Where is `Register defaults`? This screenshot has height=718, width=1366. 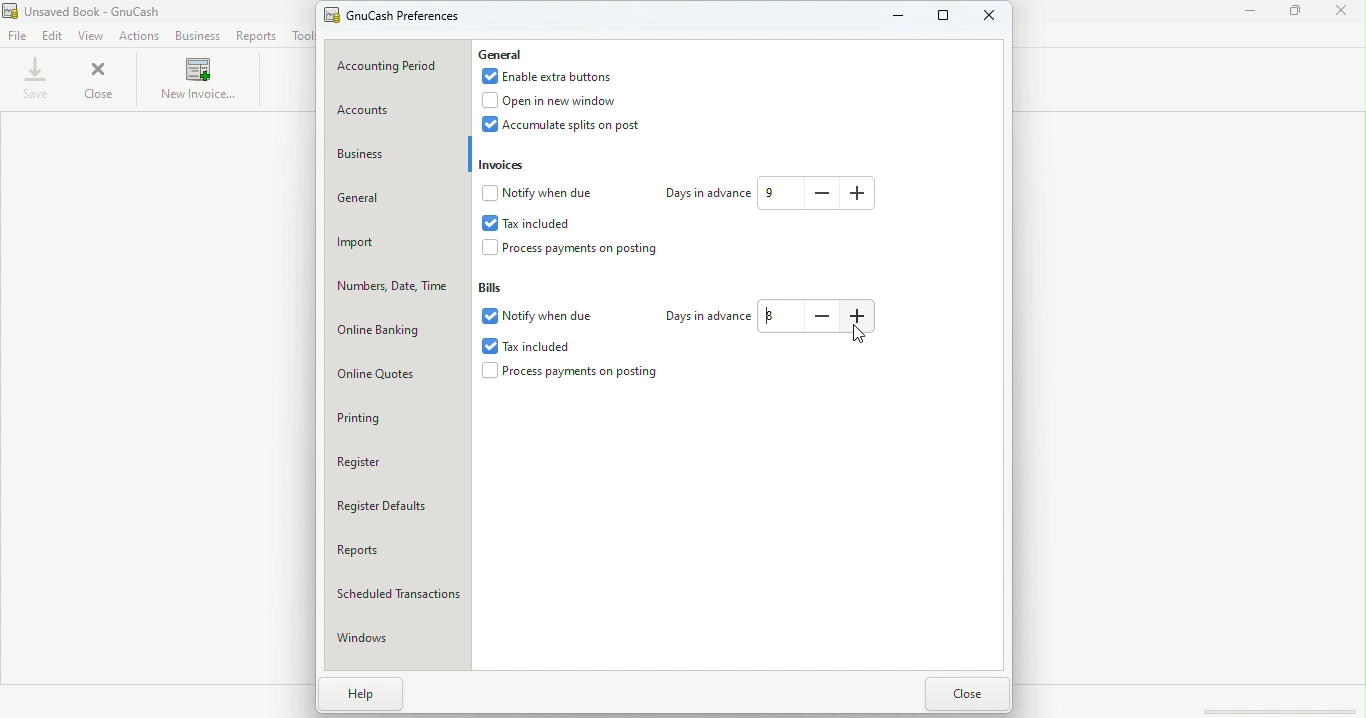 Register defaults is located at coordinates (399, 508).